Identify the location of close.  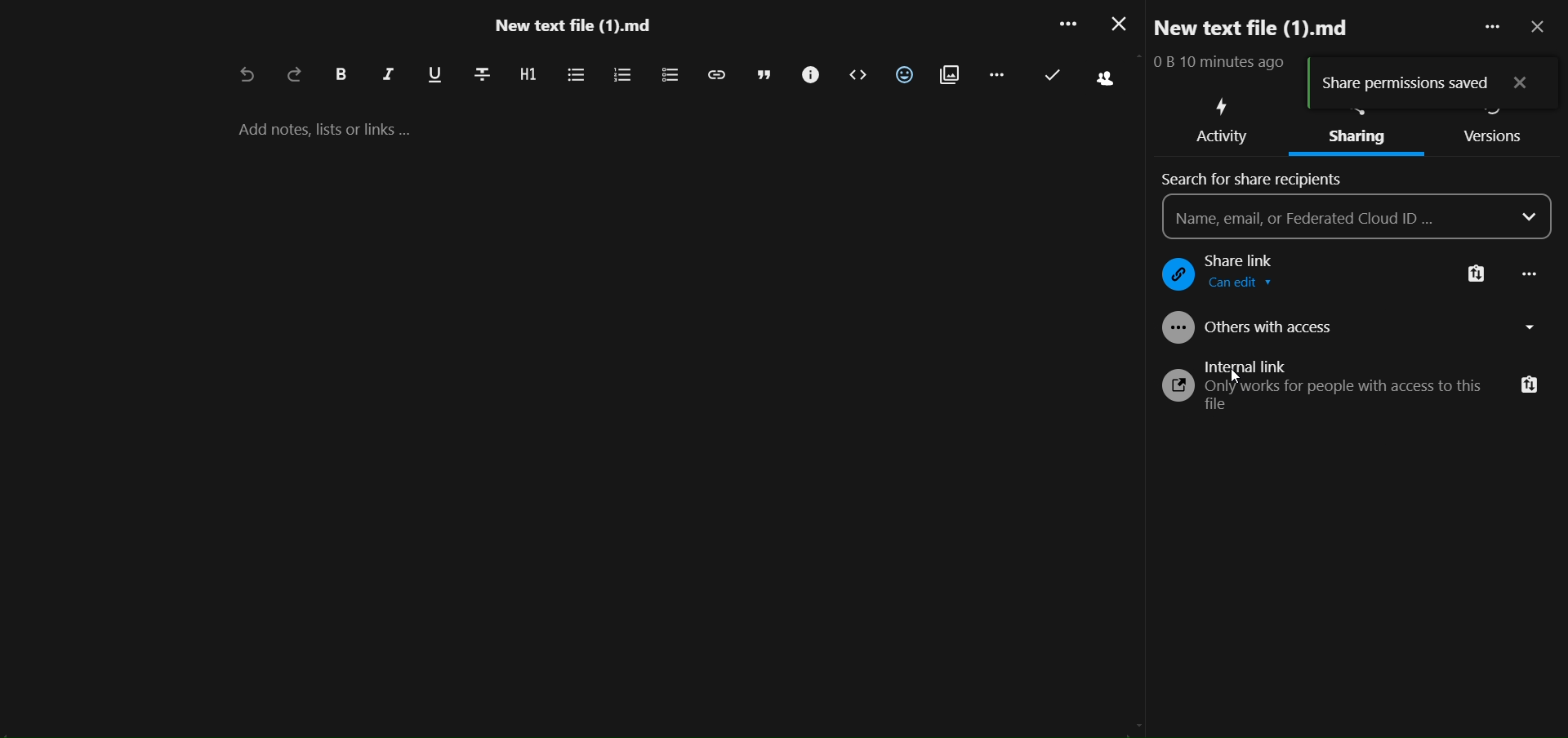
(1519, 86).